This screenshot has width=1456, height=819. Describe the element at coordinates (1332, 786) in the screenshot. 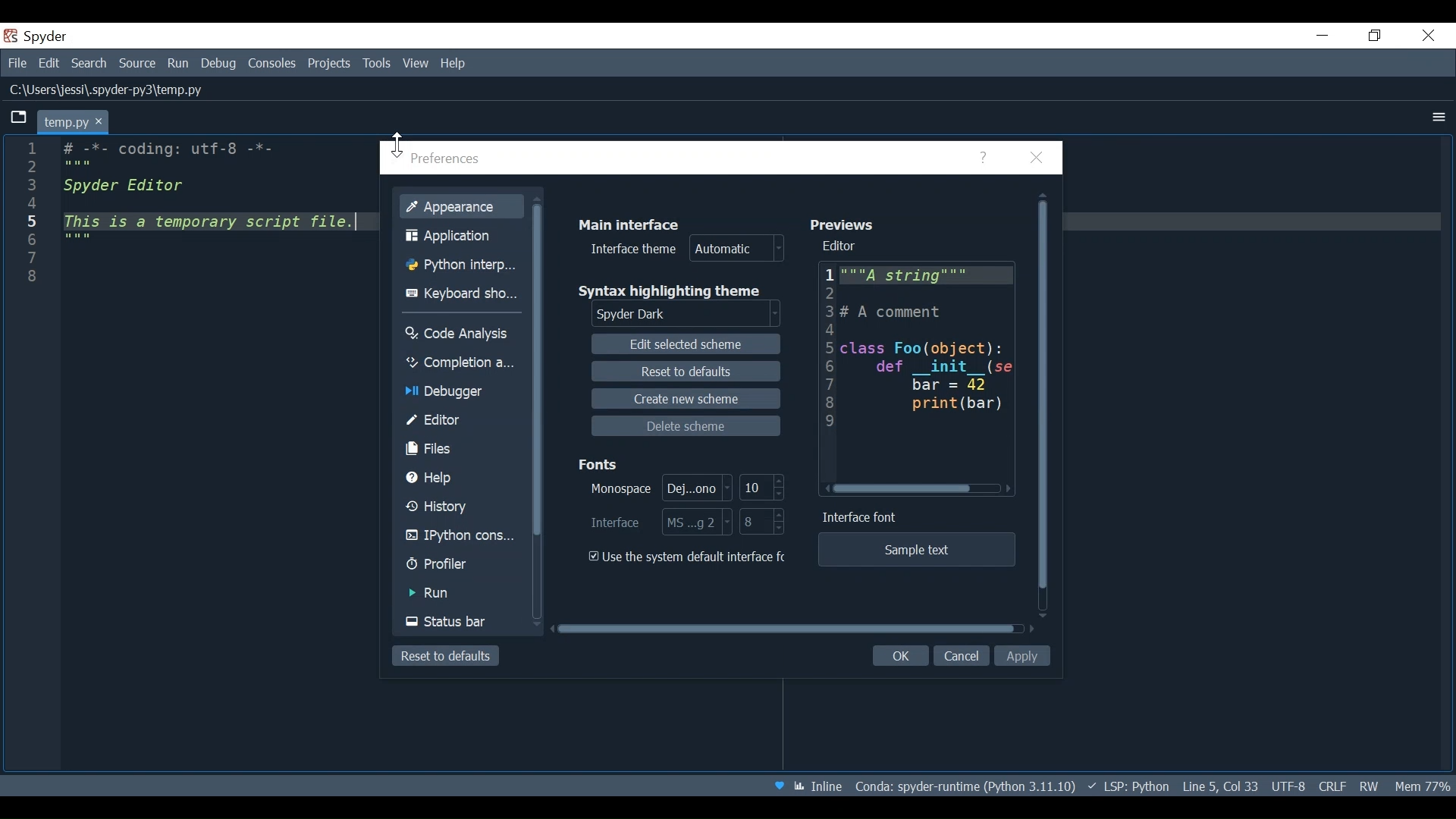

I see `FILE EQL Status` at that location.